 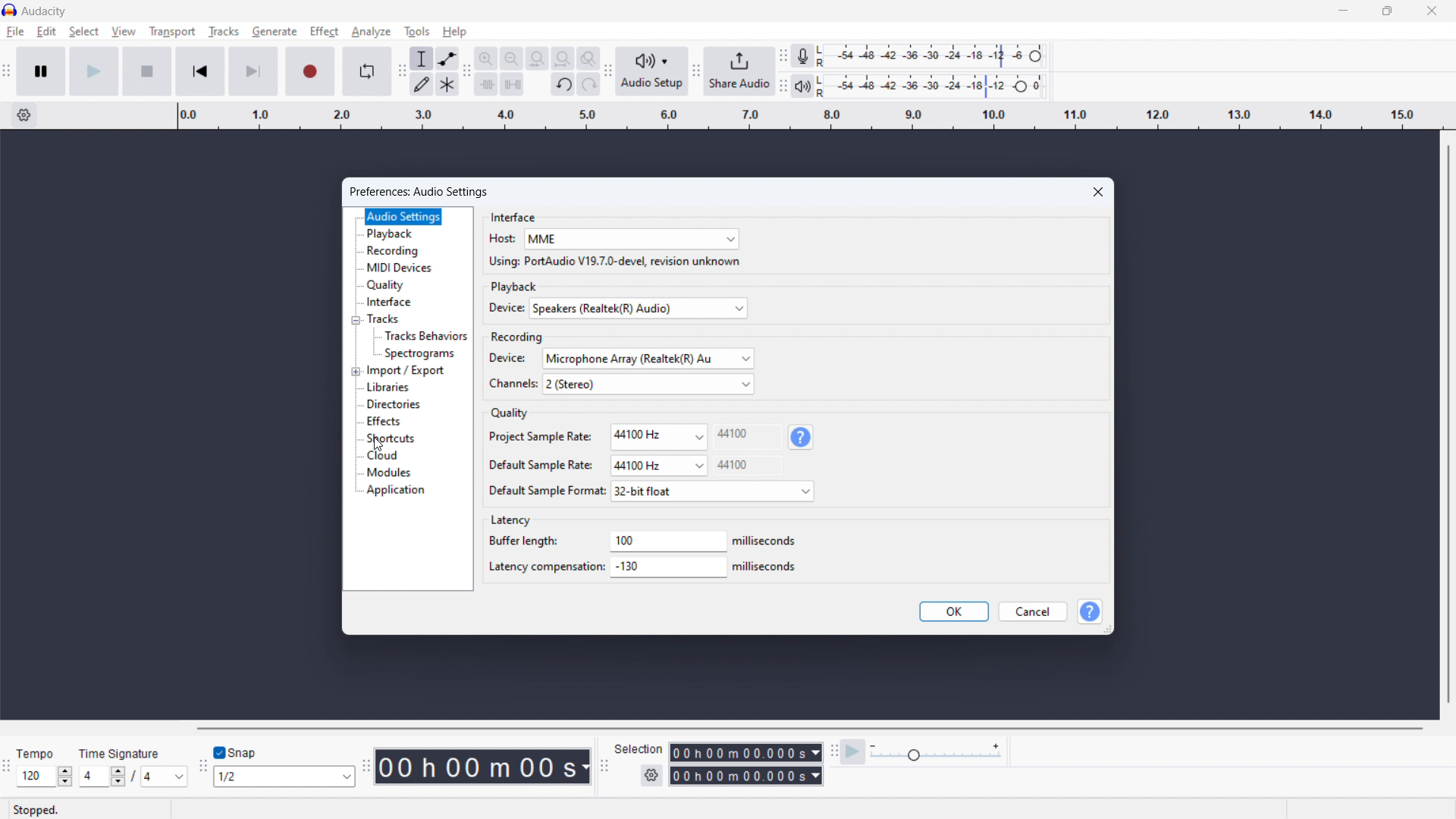 I want to click on recording, so click(x=396, y=251).